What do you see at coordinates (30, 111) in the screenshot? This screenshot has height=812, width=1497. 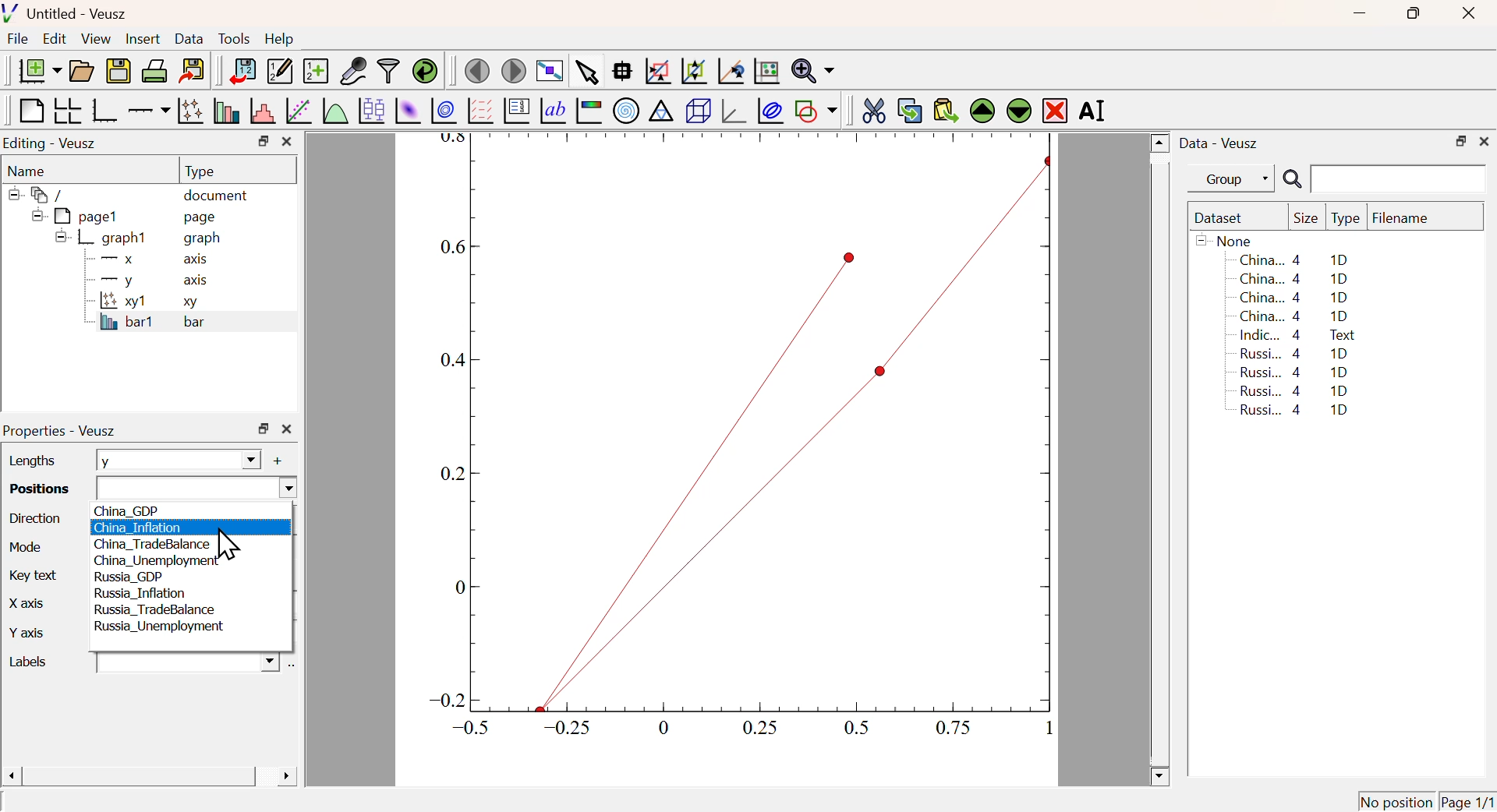 I see `Blank Page` at bounding box center [30, 111].